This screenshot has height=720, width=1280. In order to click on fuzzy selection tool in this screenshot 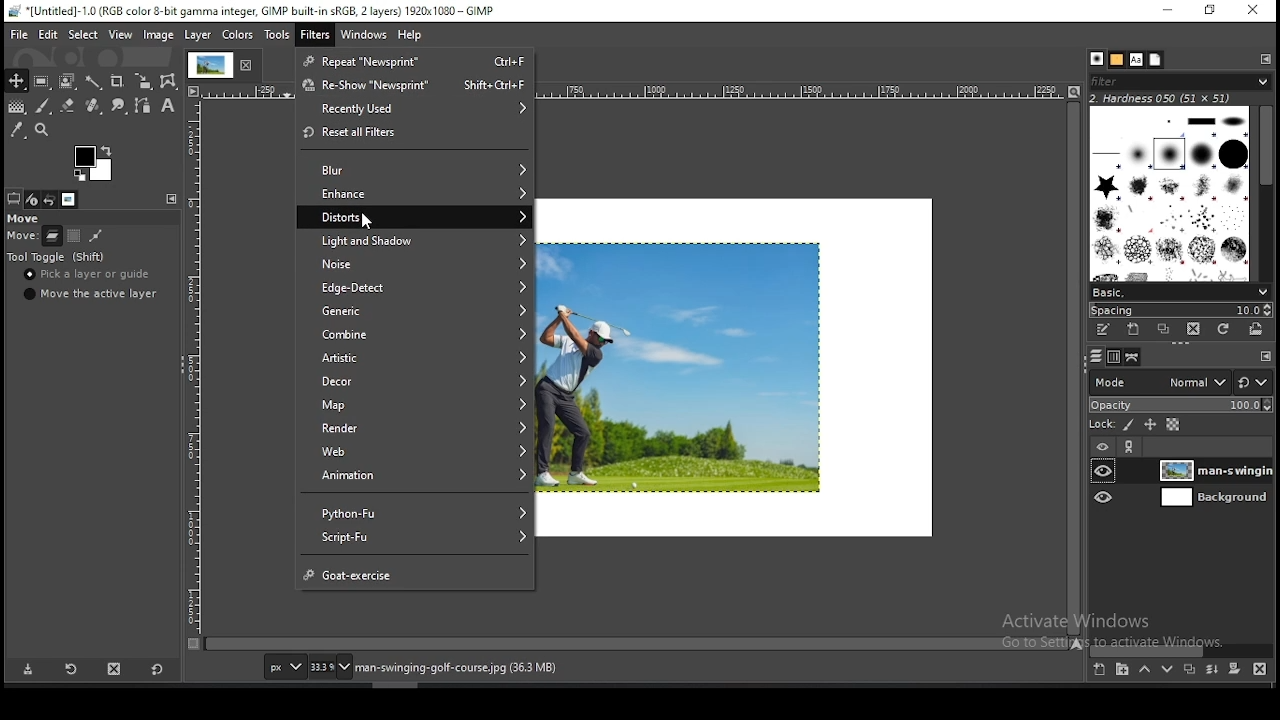, I will do `click(93, 83)`.